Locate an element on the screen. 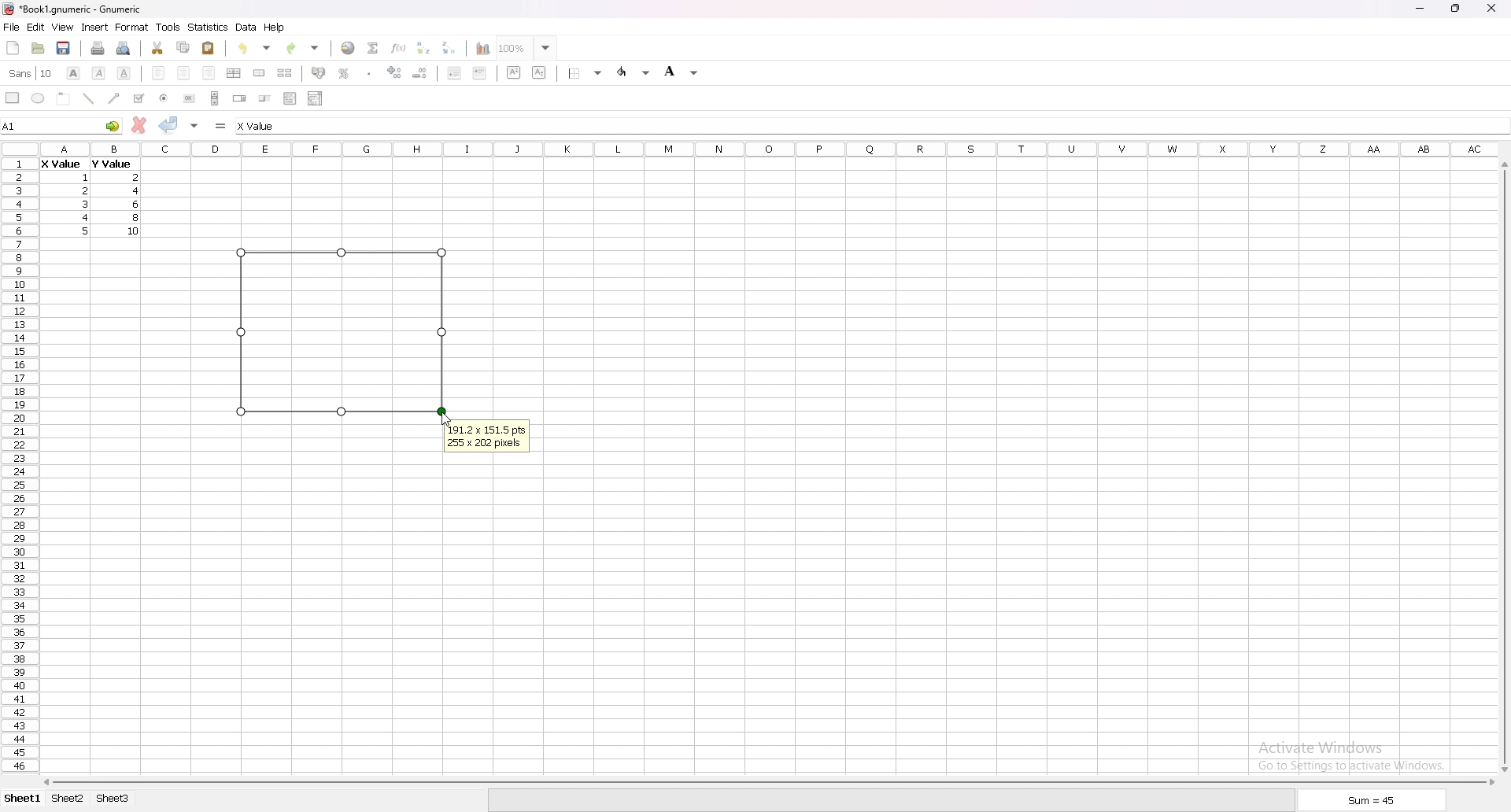  value is located at coordinates (136, 204).